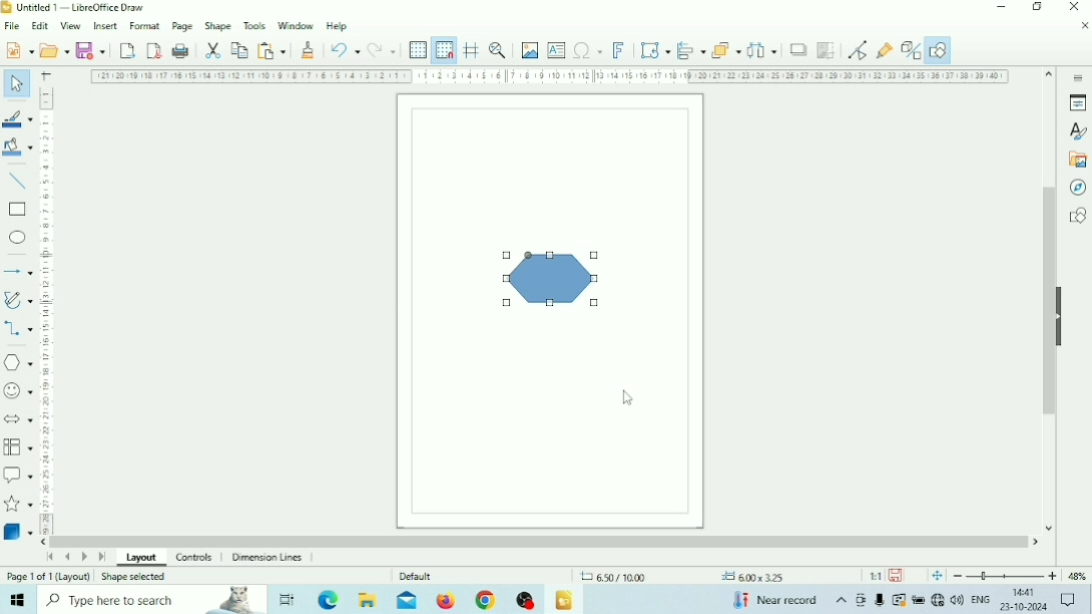  I want to click on New, so click(18, 49).